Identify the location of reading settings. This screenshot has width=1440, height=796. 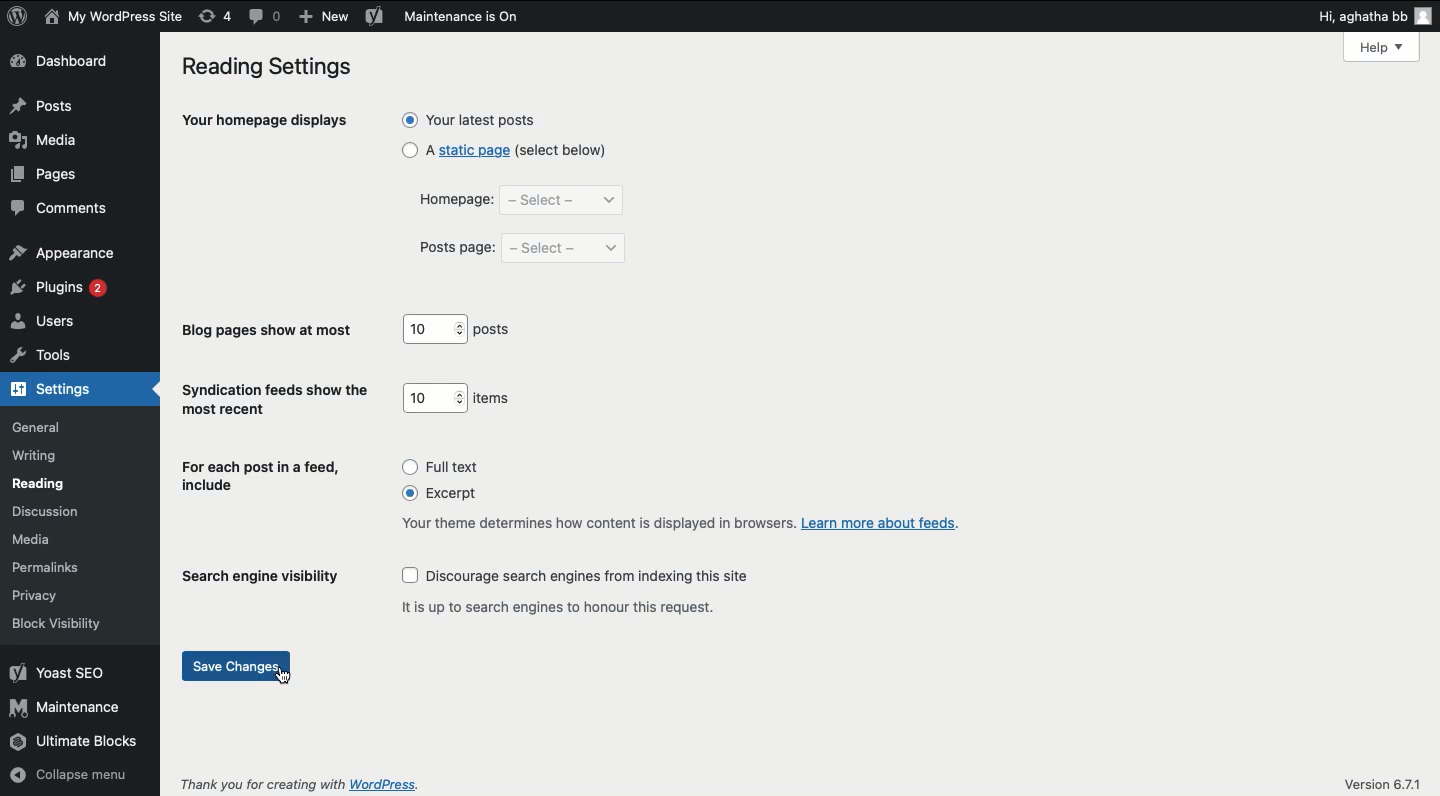
(273, 68).